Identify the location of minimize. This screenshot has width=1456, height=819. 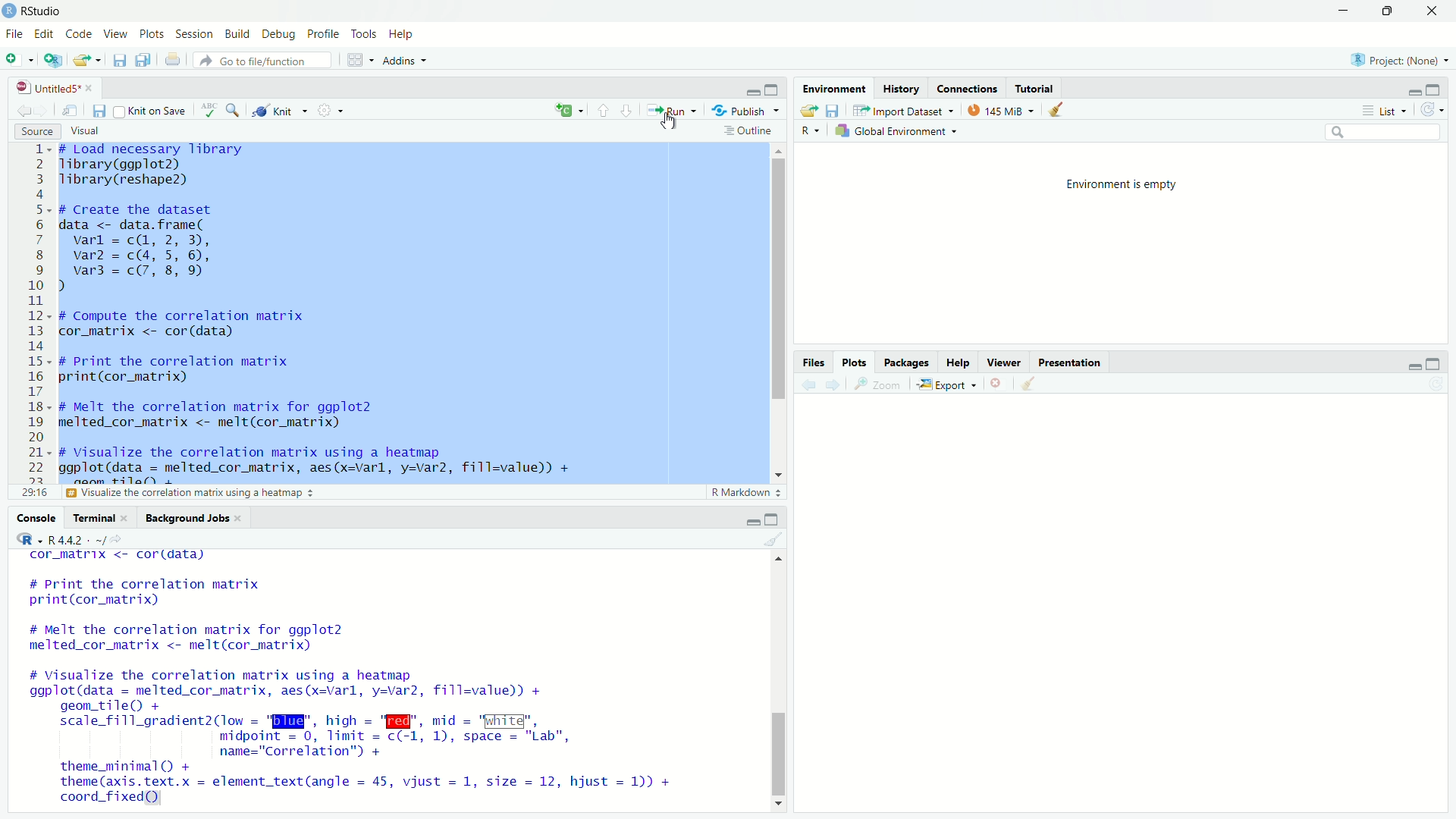
(754, 87).